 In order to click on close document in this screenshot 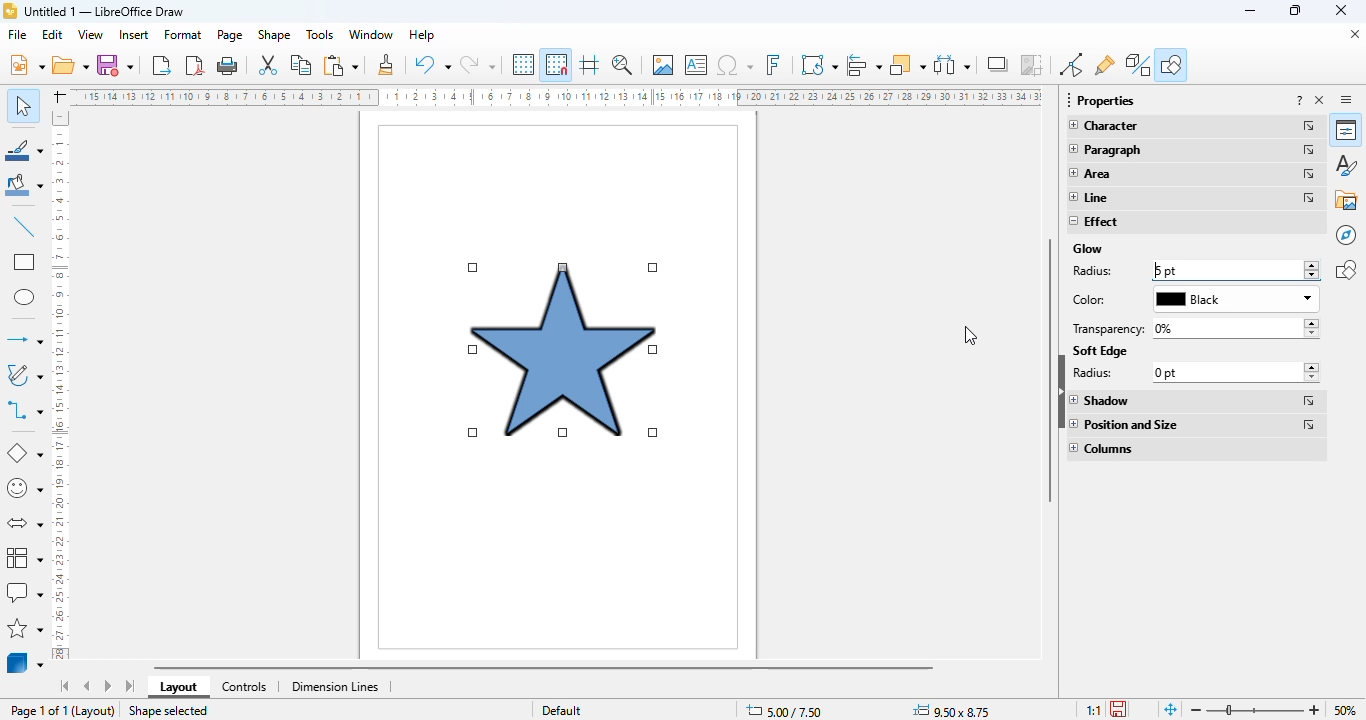, I will do `click(1352, 33)`.